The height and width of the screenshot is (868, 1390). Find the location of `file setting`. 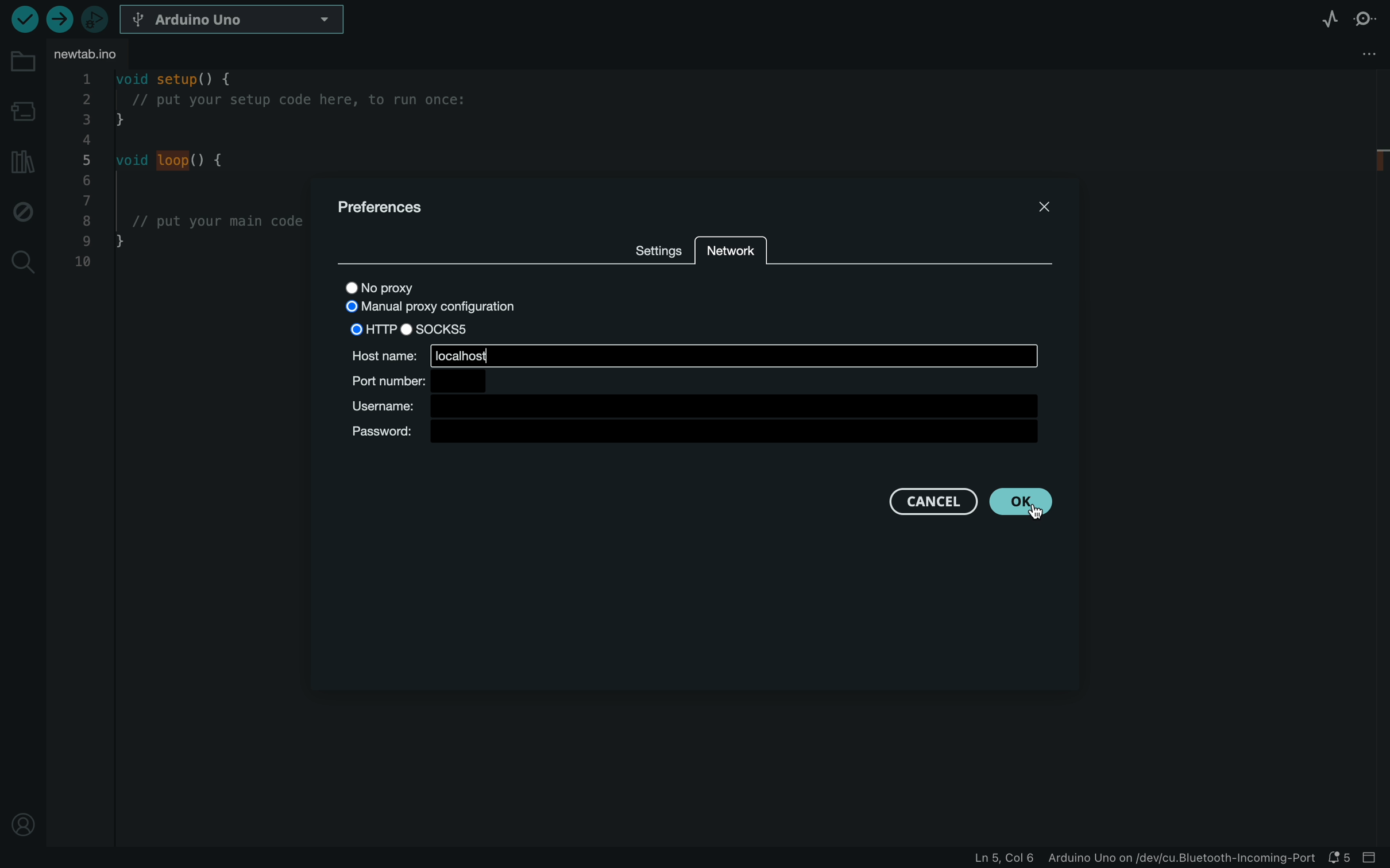

file setting is located at coordinates (1343, 53).